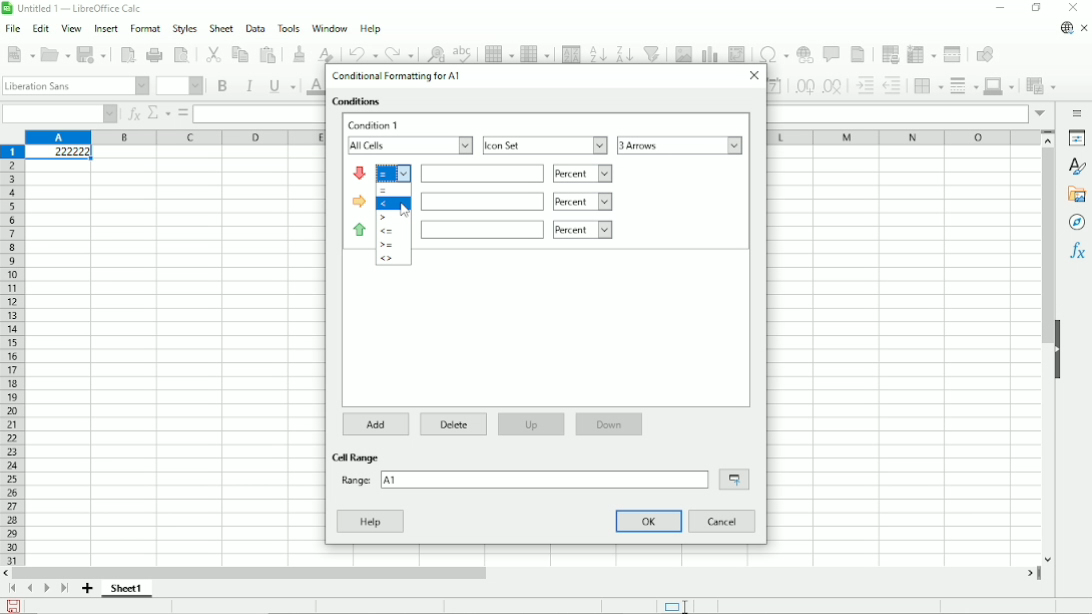 This screenshot has height=614, width=1092. Describe the element at coordinates (518, 173) in the screenshot. I see `percent` at that location.